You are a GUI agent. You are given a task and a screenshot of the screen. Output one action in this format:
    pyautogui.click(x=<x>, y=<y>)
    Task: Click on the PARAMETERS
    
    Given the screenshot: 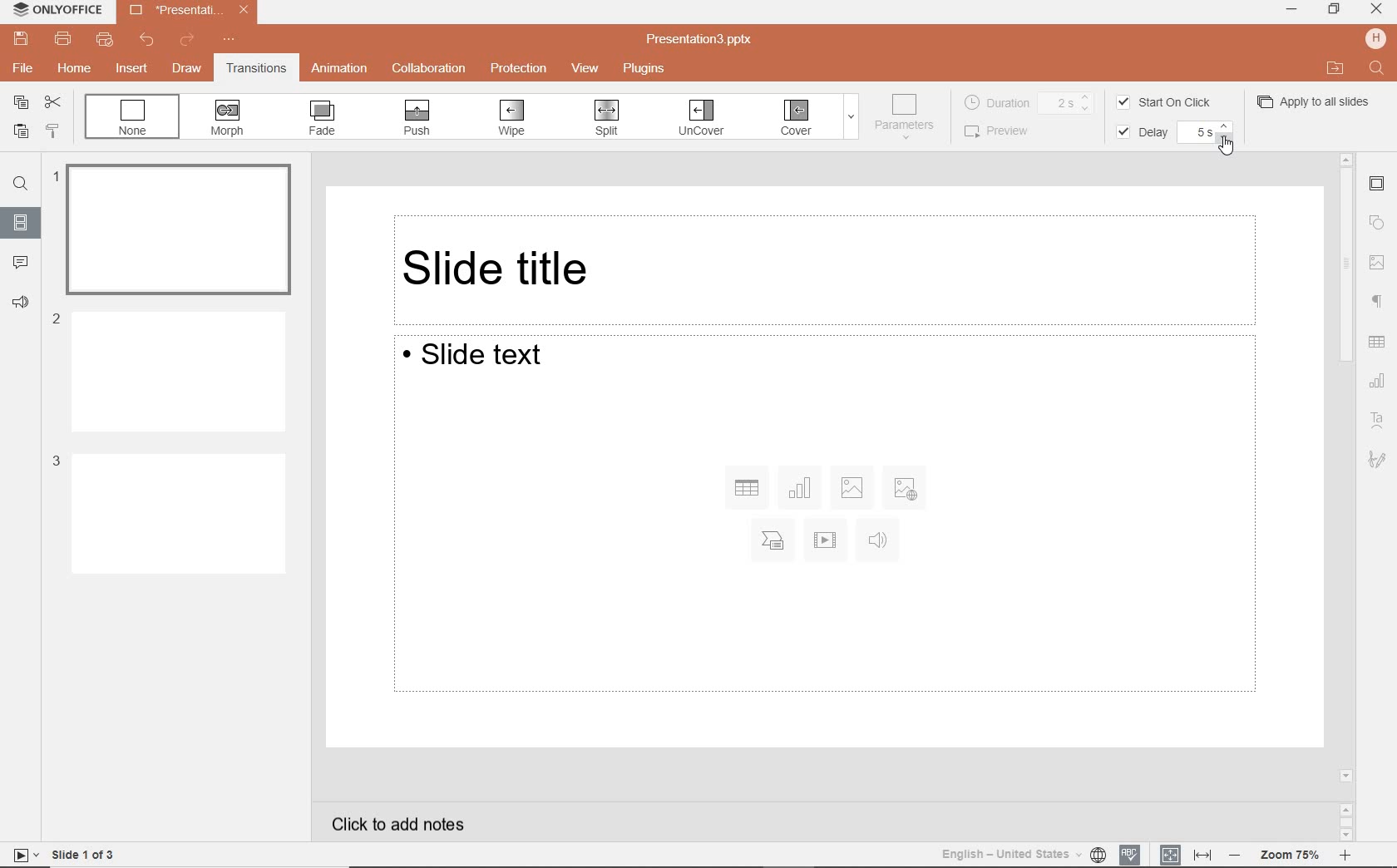 What is the action you would take?
    pyautogui.click(x=908, y=117)
    